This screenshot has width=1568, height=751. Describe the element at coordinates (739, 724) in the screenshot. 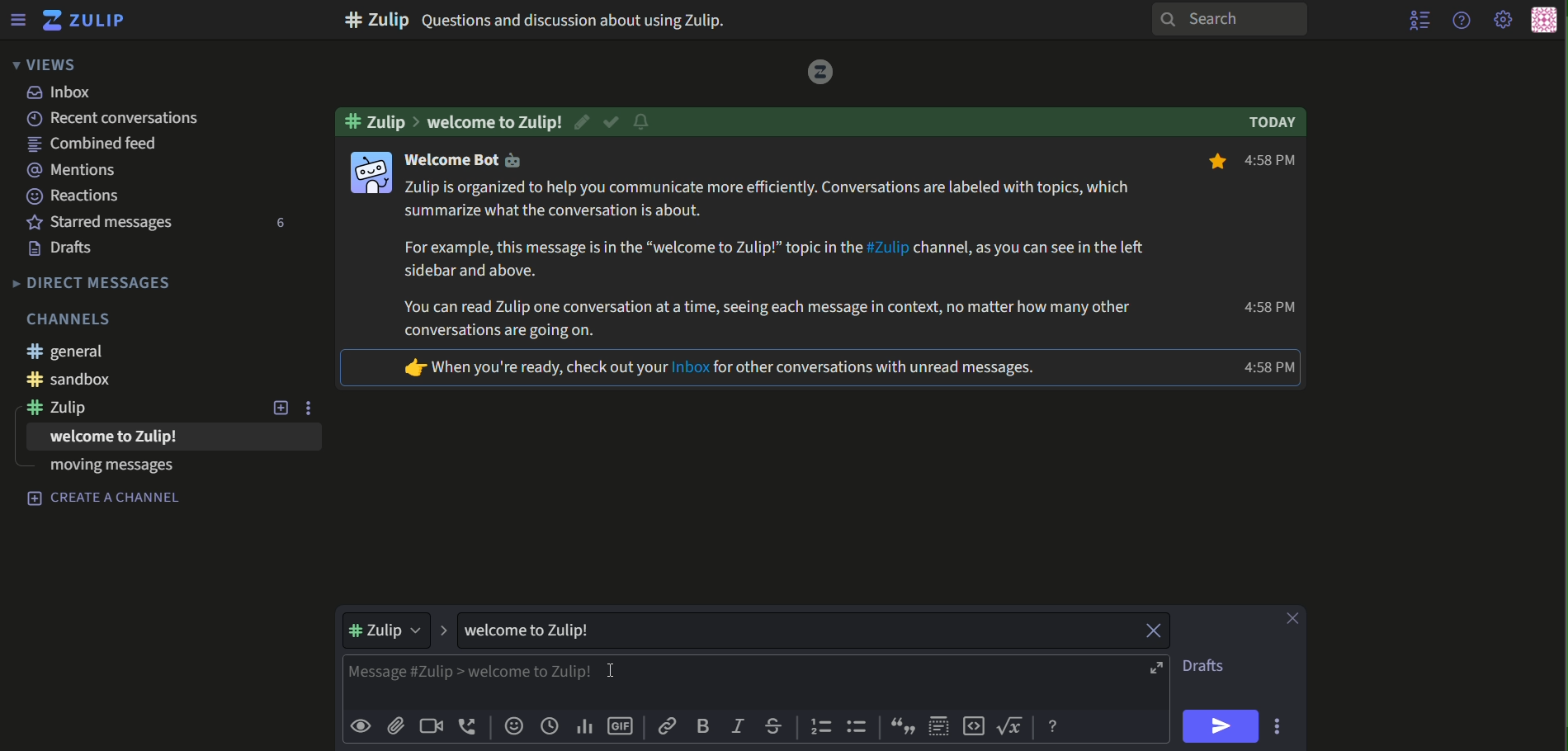

I see `italic` at that location.